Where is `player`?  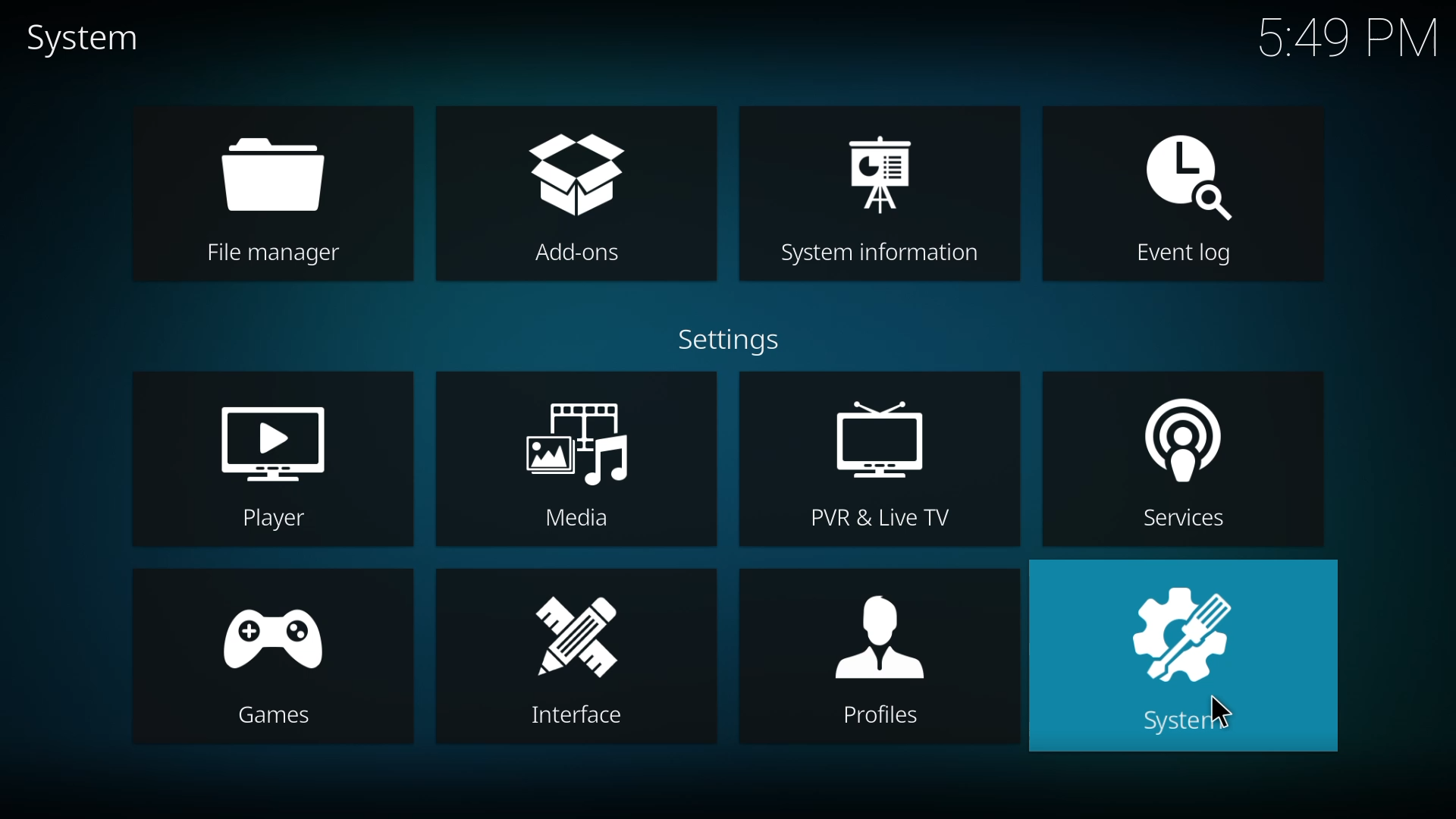
player is located at coordinates (271, 466).